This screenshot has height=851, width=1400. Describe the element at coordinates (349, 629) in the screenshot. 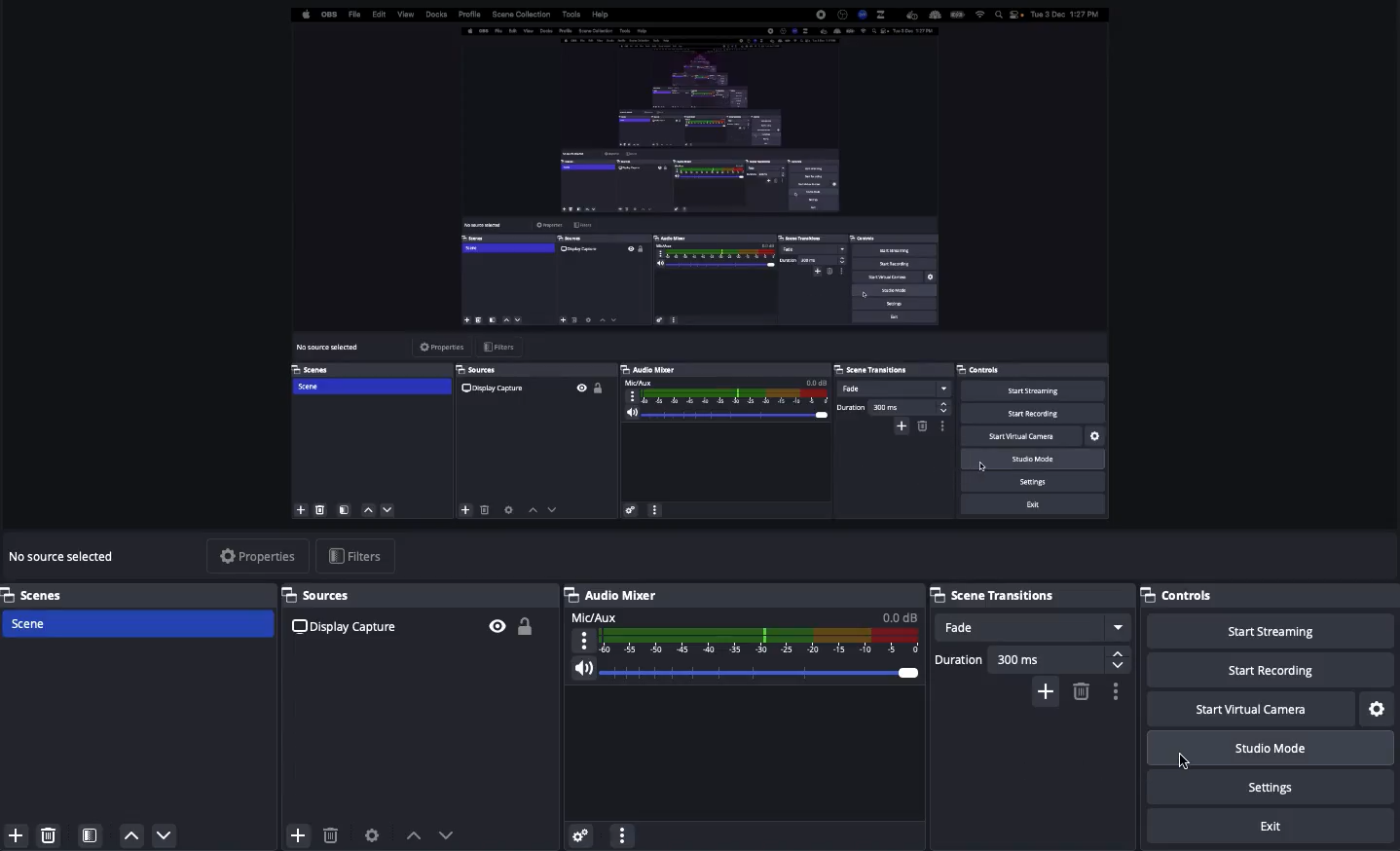

I see `Display capture` at that location.